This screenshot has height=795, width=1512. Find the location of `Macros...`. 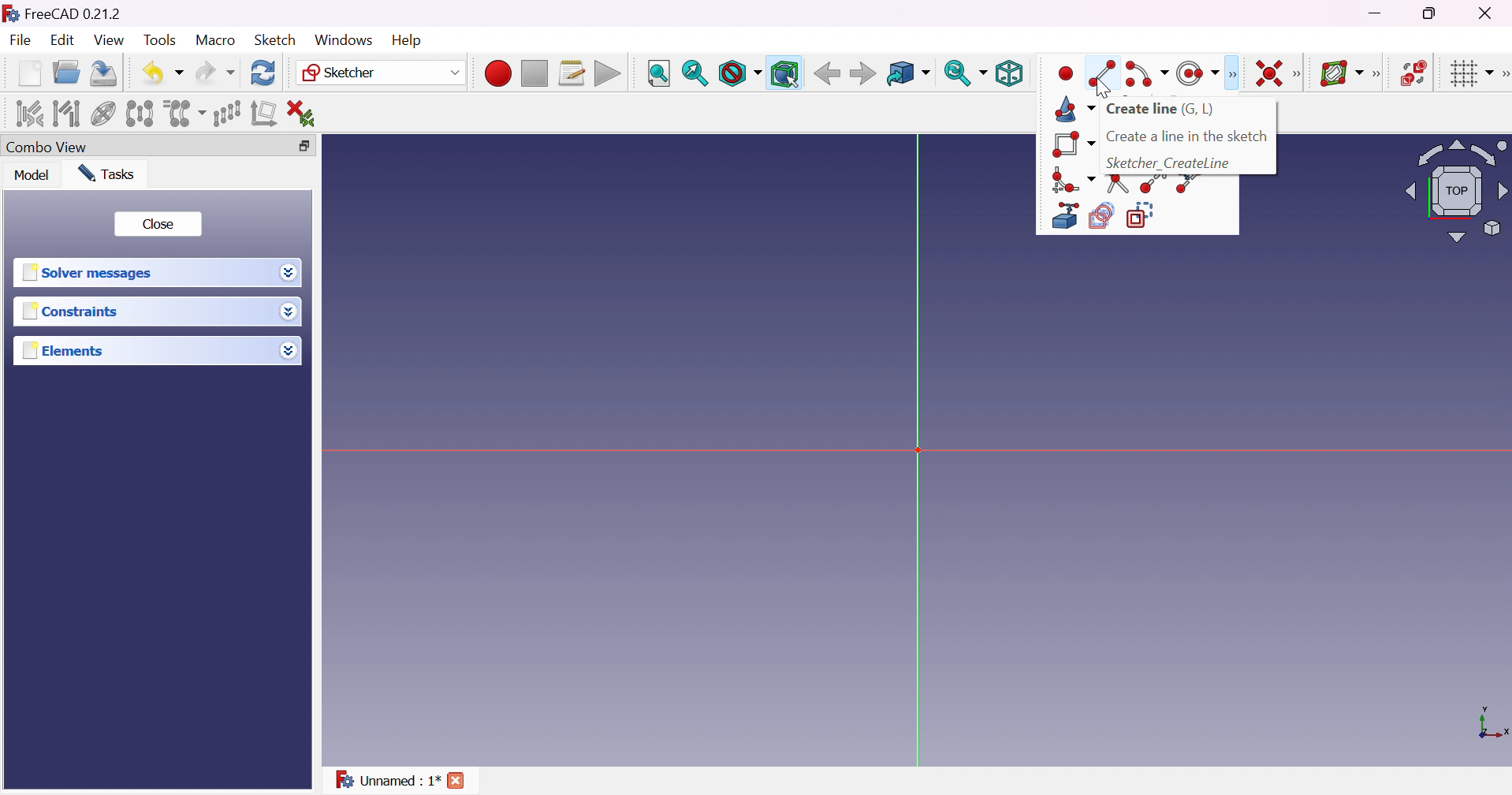

Macros... is located at coordinates (572, 73).